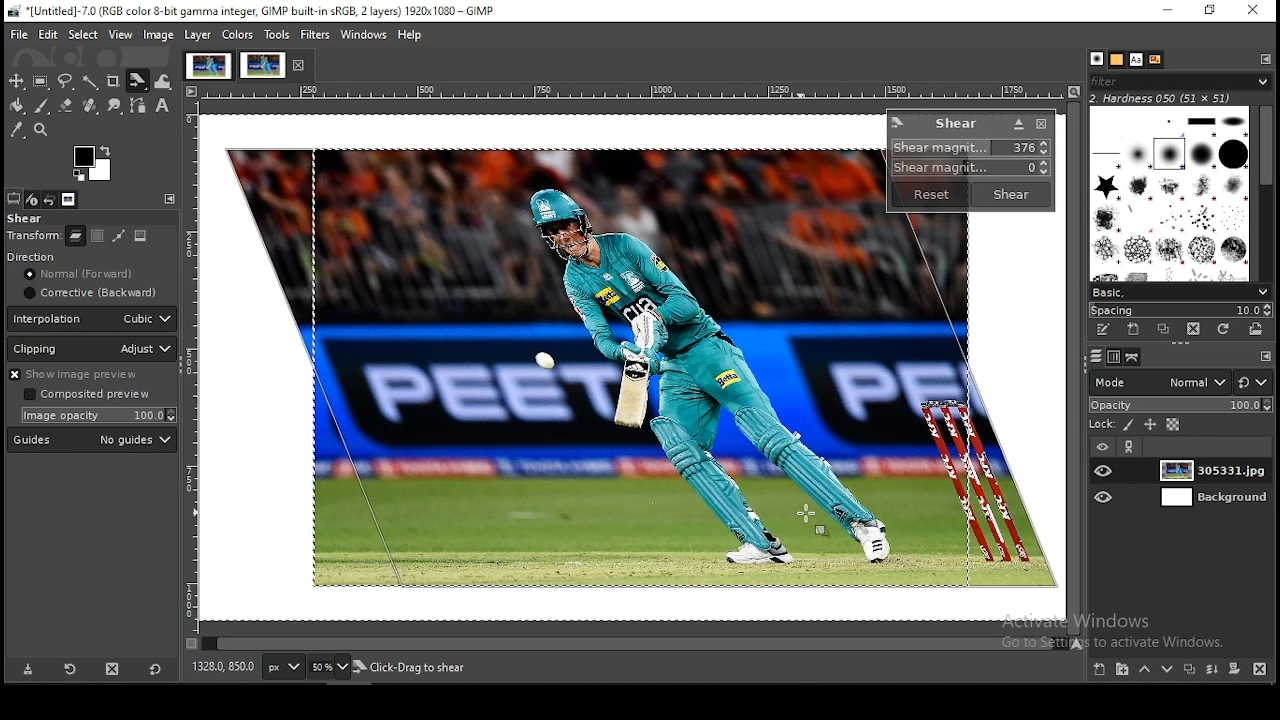 The width and height of the screenshot is (1280, 720). I want to click on horizontal scale, so click(632, 93).